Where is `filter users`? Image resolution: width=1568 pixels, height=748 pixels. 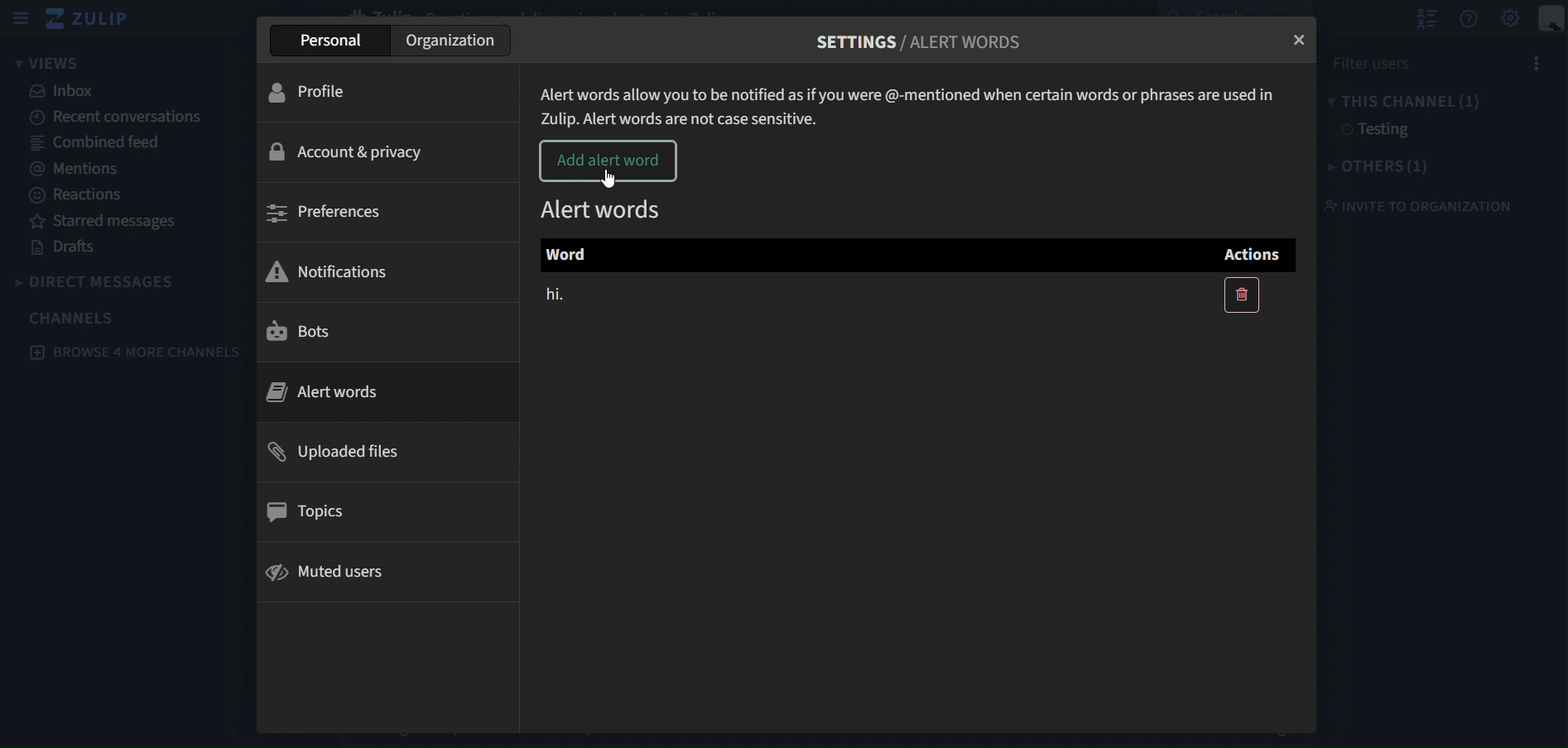
filter users is located at coordinates (1417, 63).